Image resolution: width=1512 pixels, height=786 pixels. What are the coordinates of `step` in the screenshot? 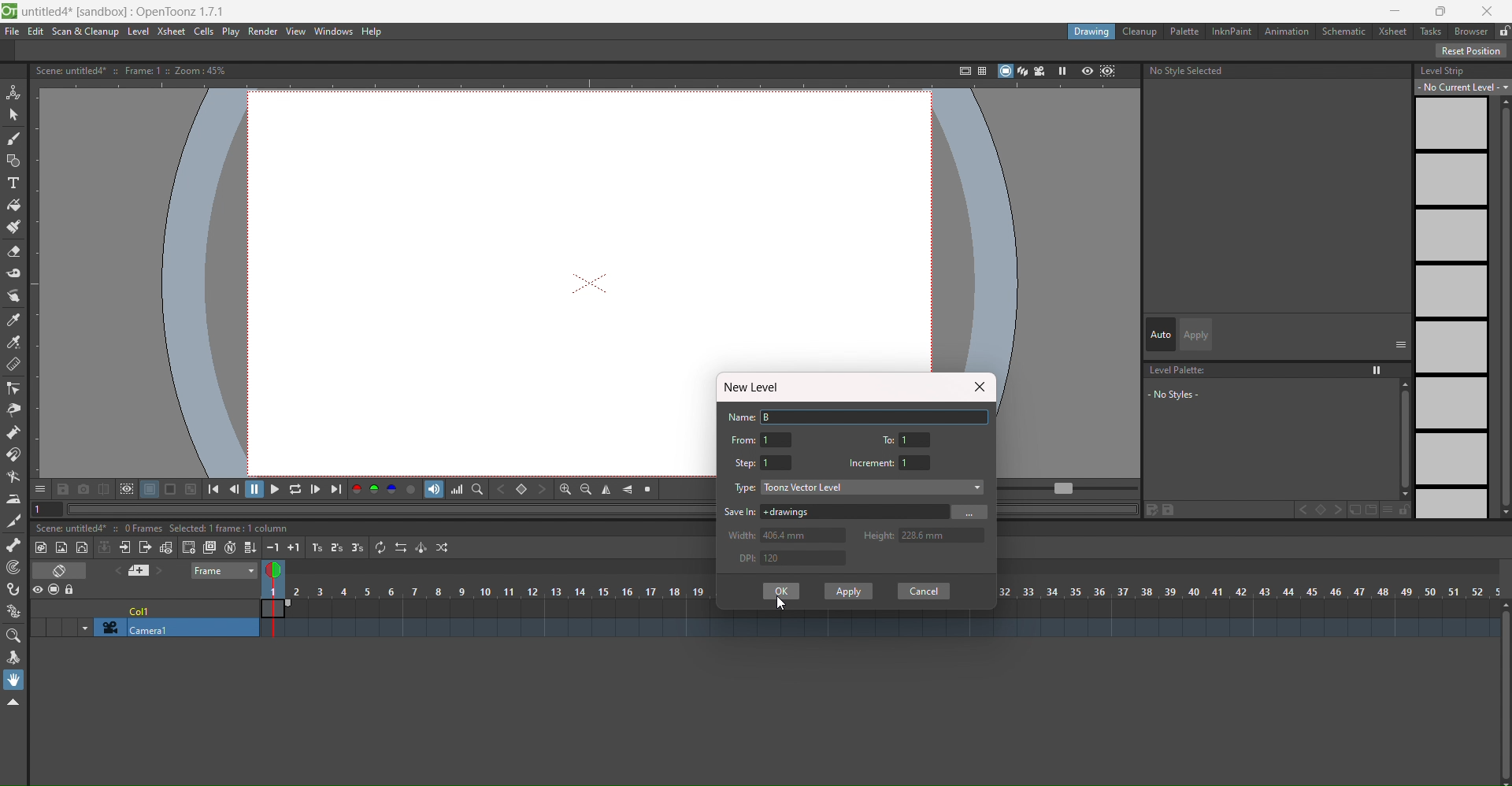 It's located at (746, 463).